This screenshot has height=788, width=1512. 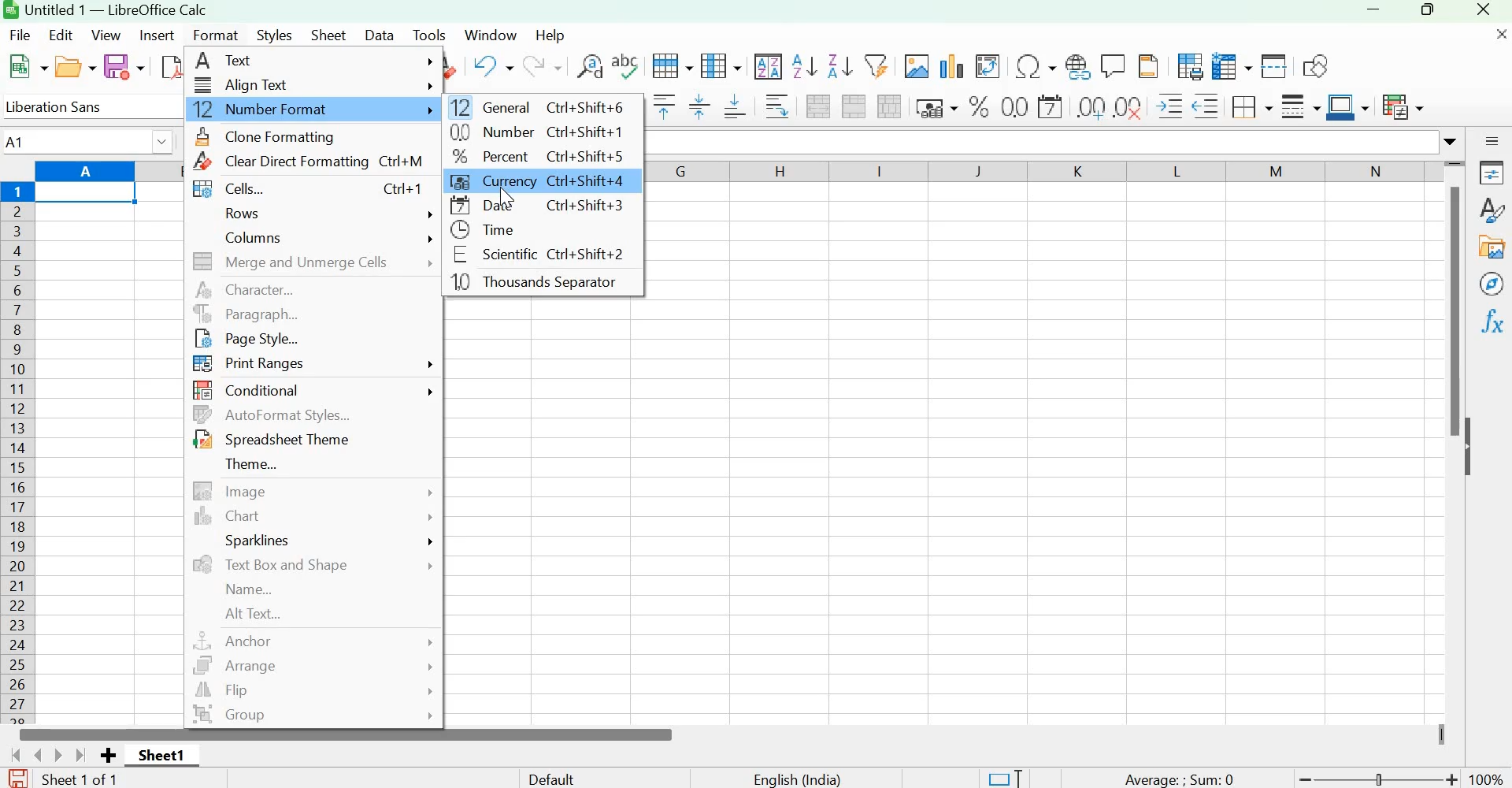 I want to click on General, so click(x=539, y=106).